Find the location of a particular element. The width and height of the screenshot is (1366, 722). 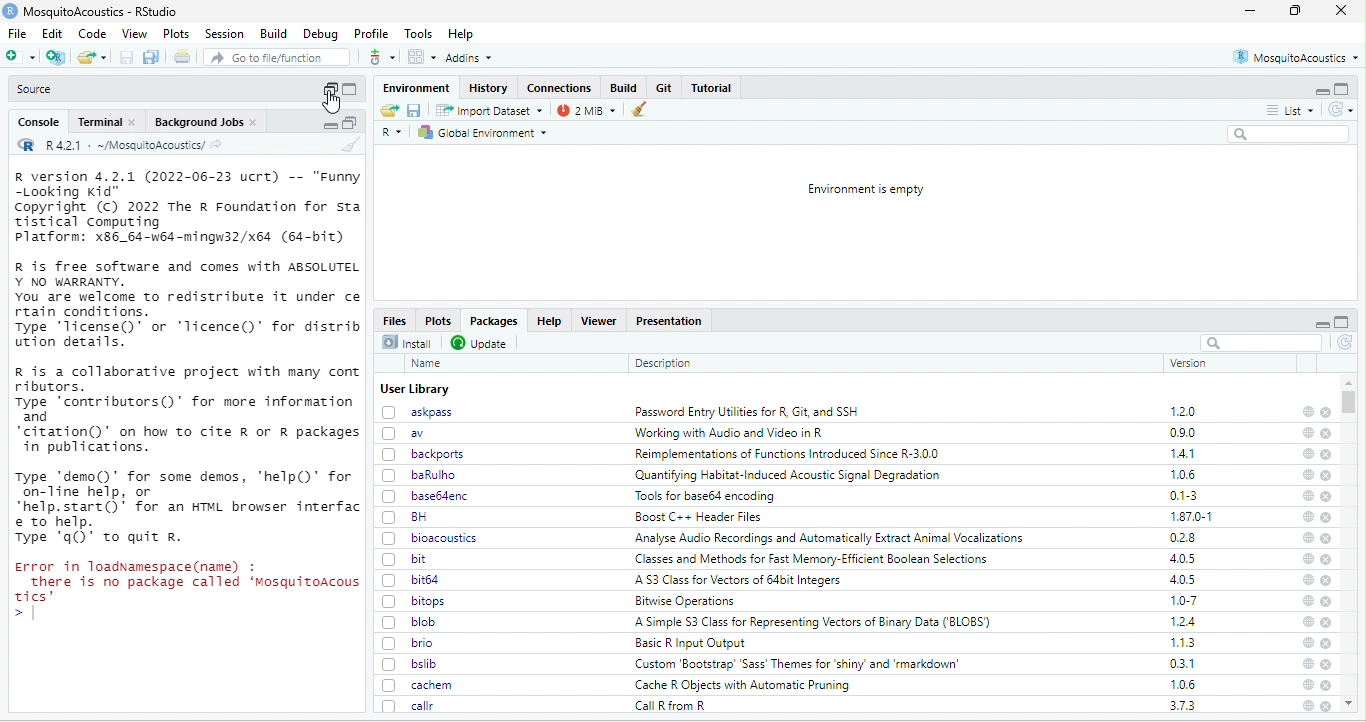

Print is located at coordinates (183, 56).